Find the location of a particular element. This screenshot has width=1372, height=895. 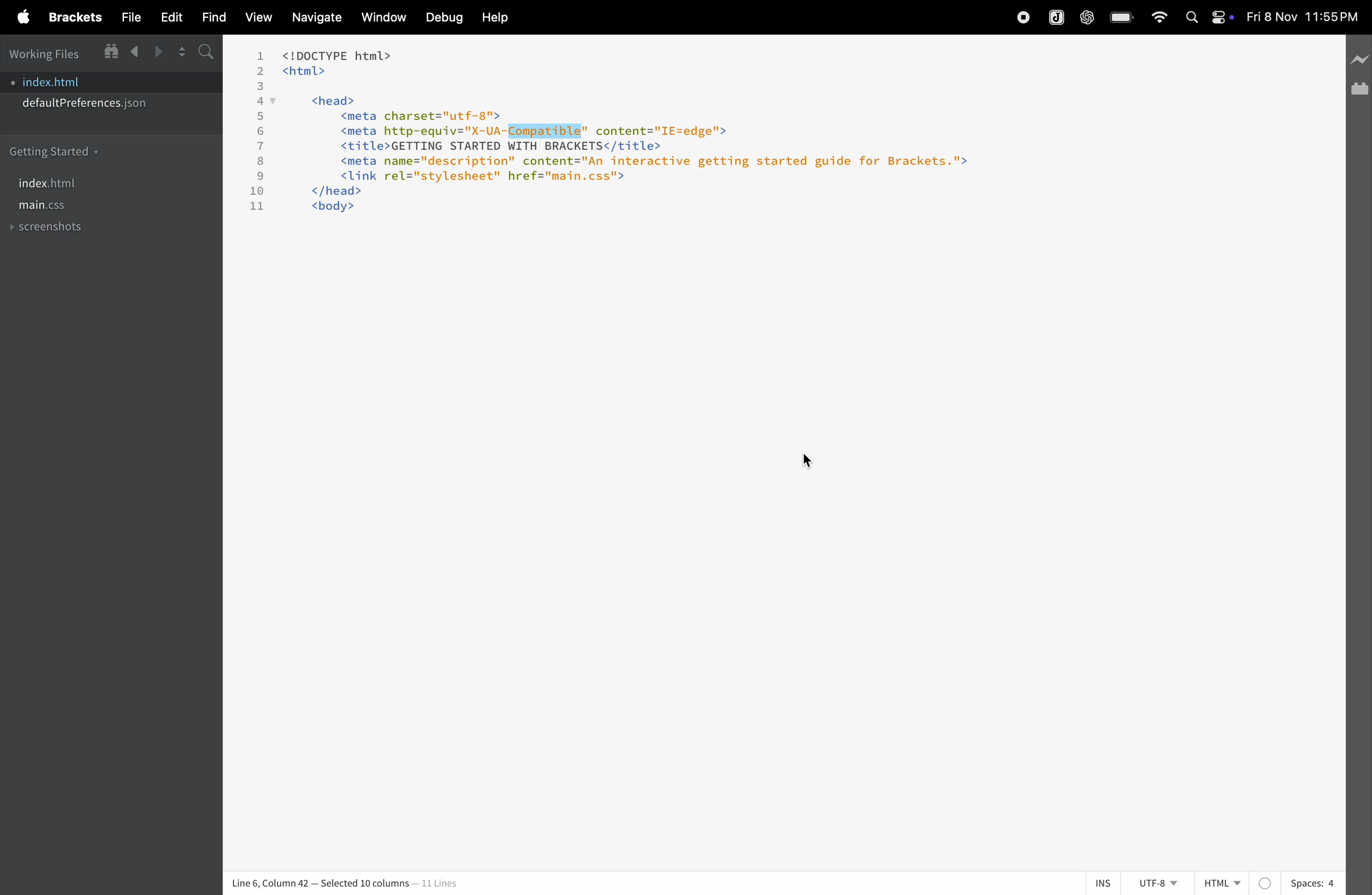

cursor is located at coordinates (808, 464).